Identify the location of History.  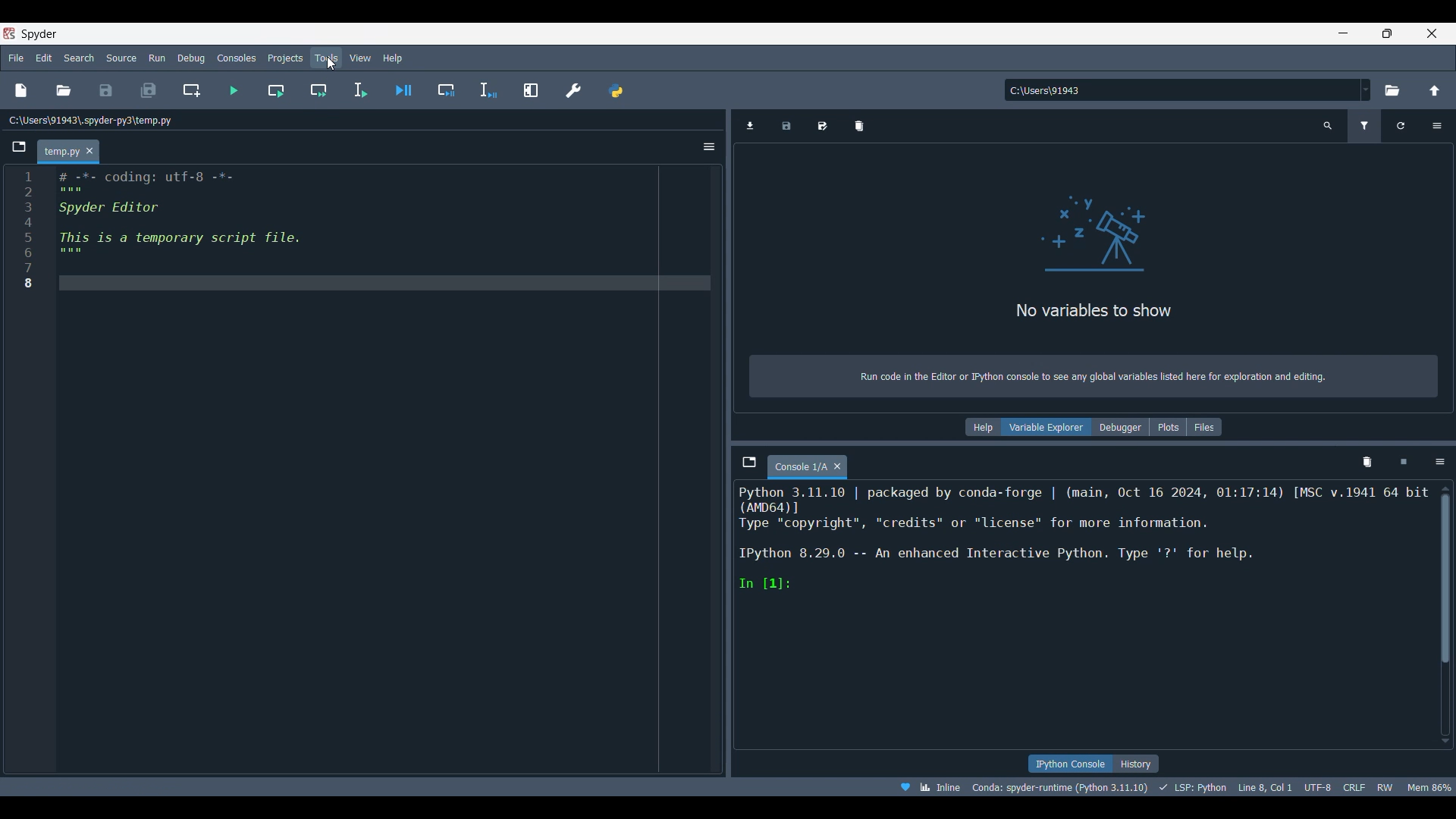
(1136, 764).